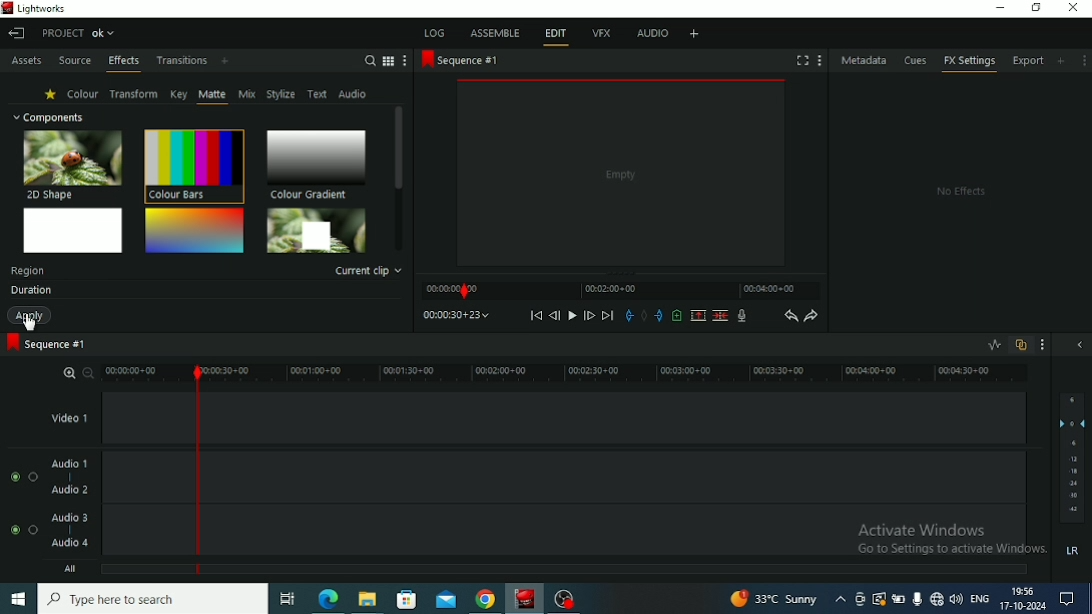  Describe the element at coordinates (958, 192) in the screenshot. I see `Text "no effects"` at that location.